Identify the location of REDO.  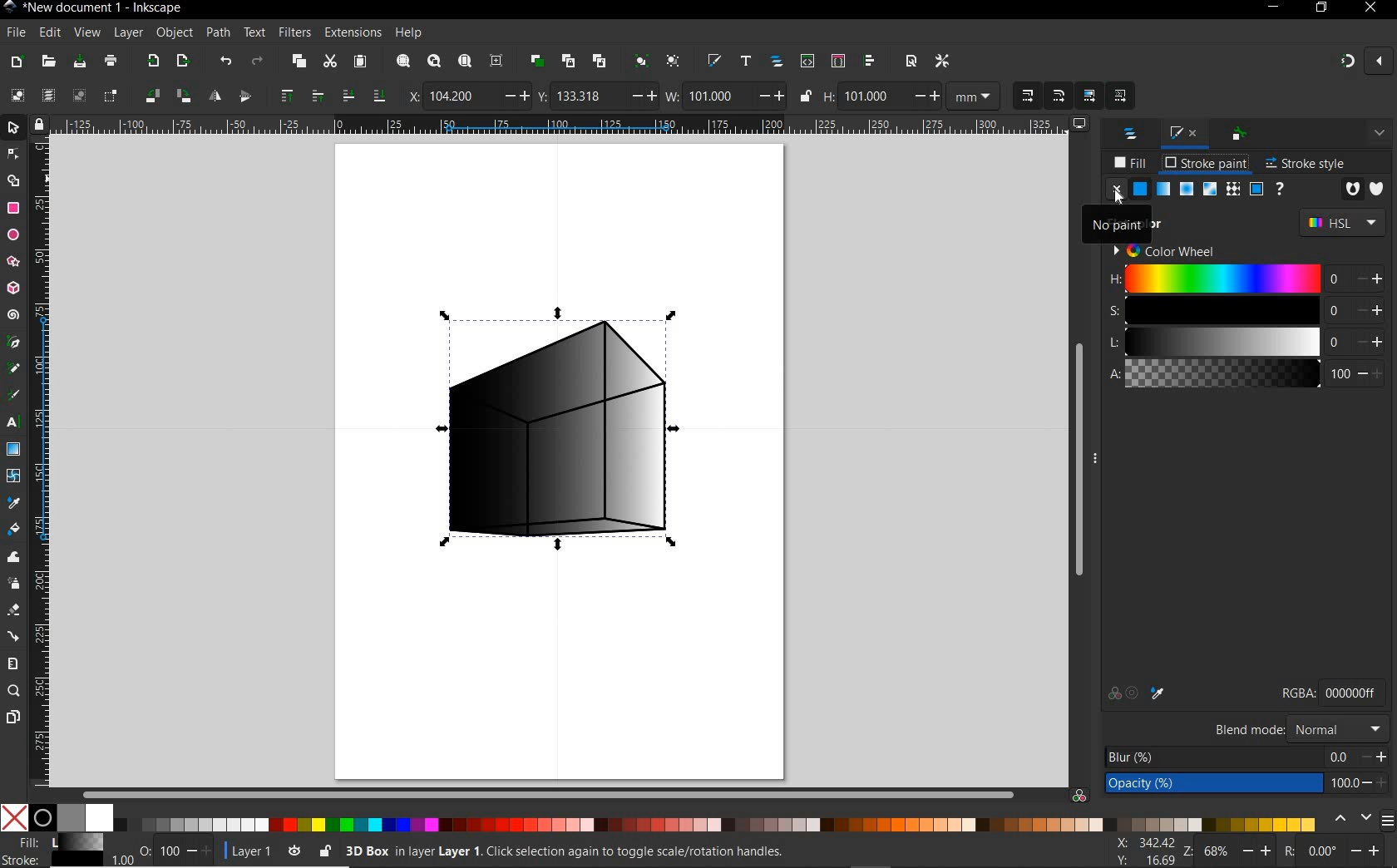
(262, 60).